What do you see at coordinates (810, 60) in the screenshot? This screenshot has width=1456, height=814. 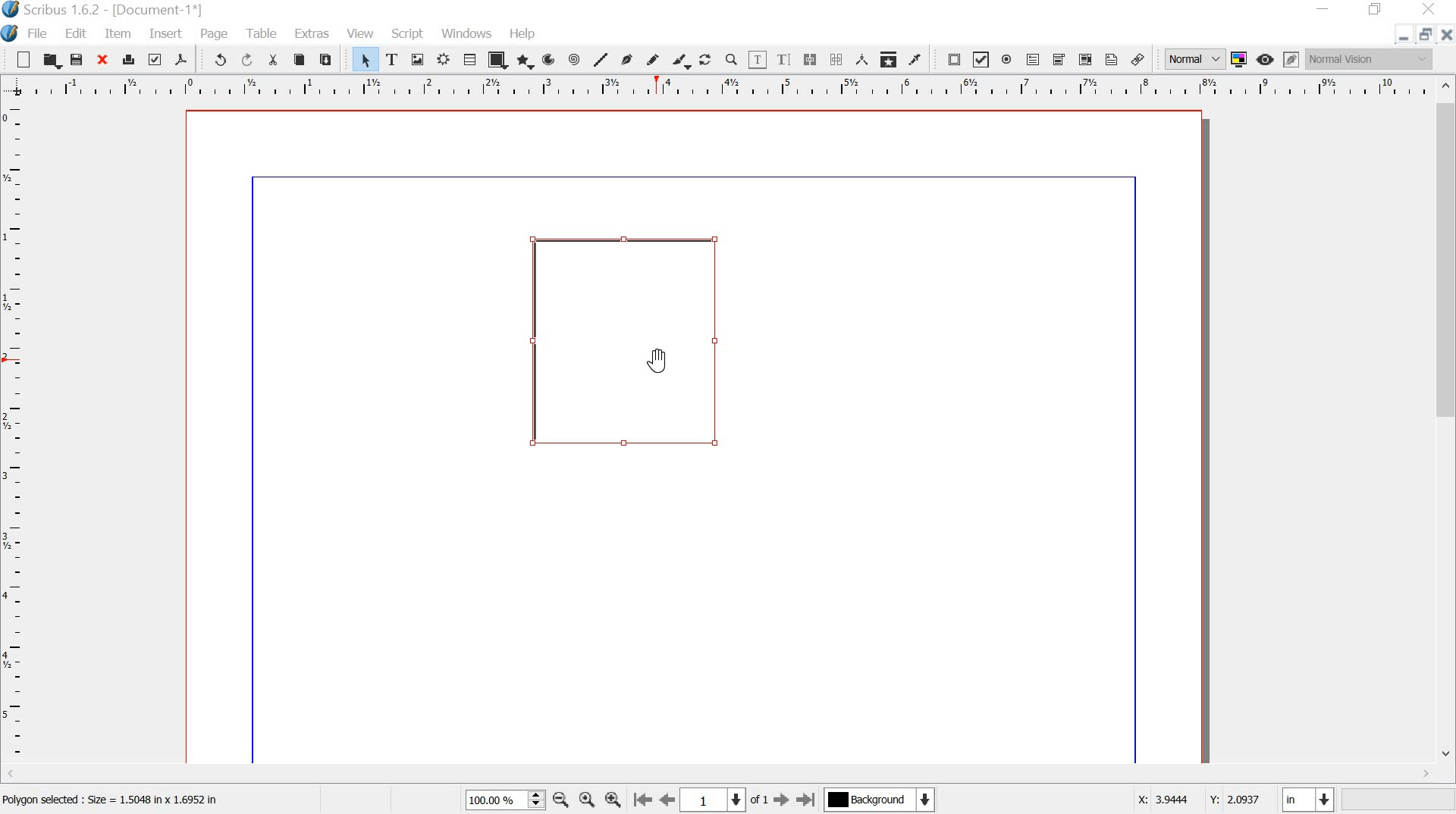 I see `link text frames` at bounding box center [810, 60].